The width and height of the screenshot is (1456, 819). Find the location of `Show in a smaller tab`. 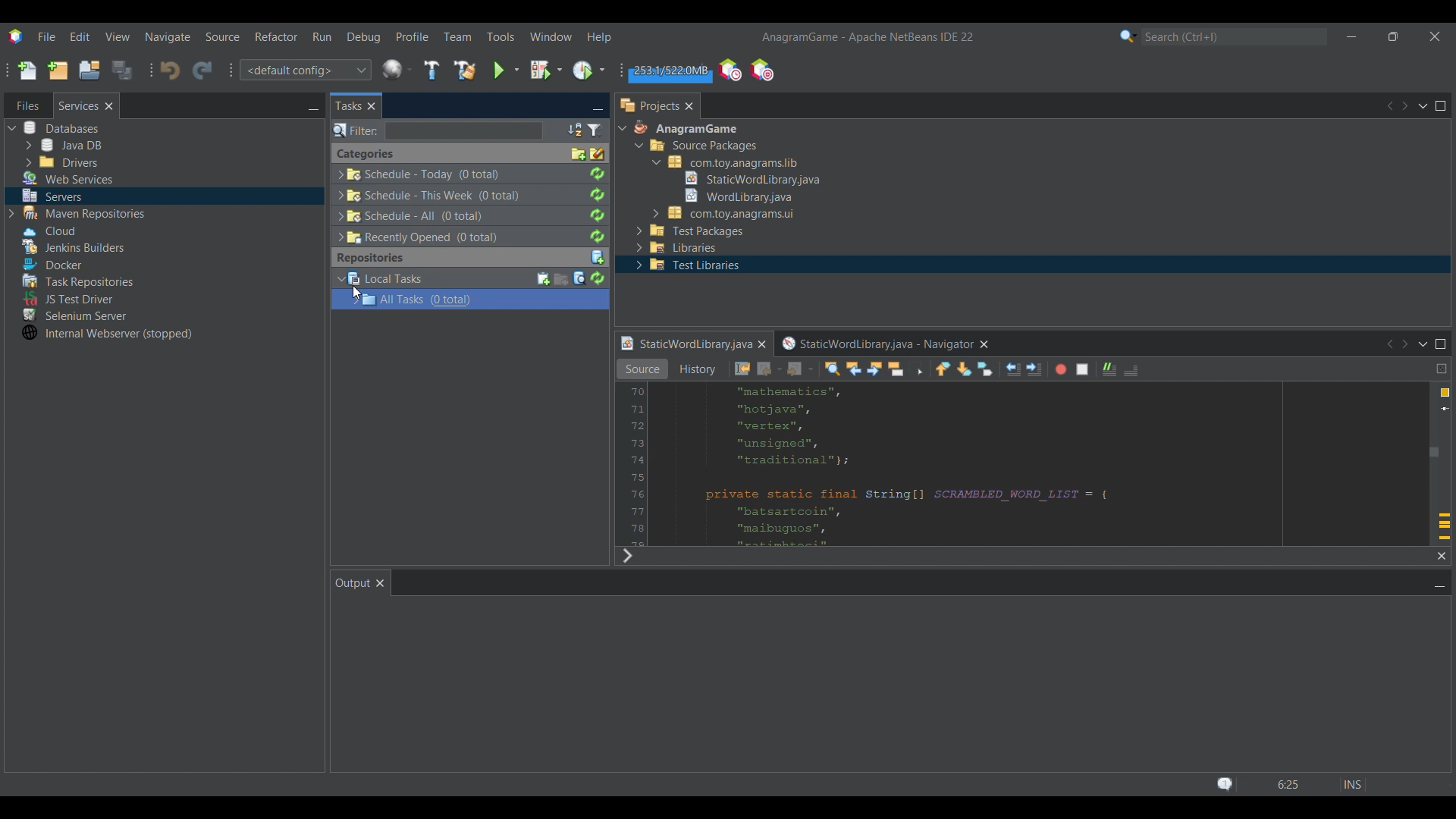

Show in a smaller tab is located at coordinates (1393, 36).